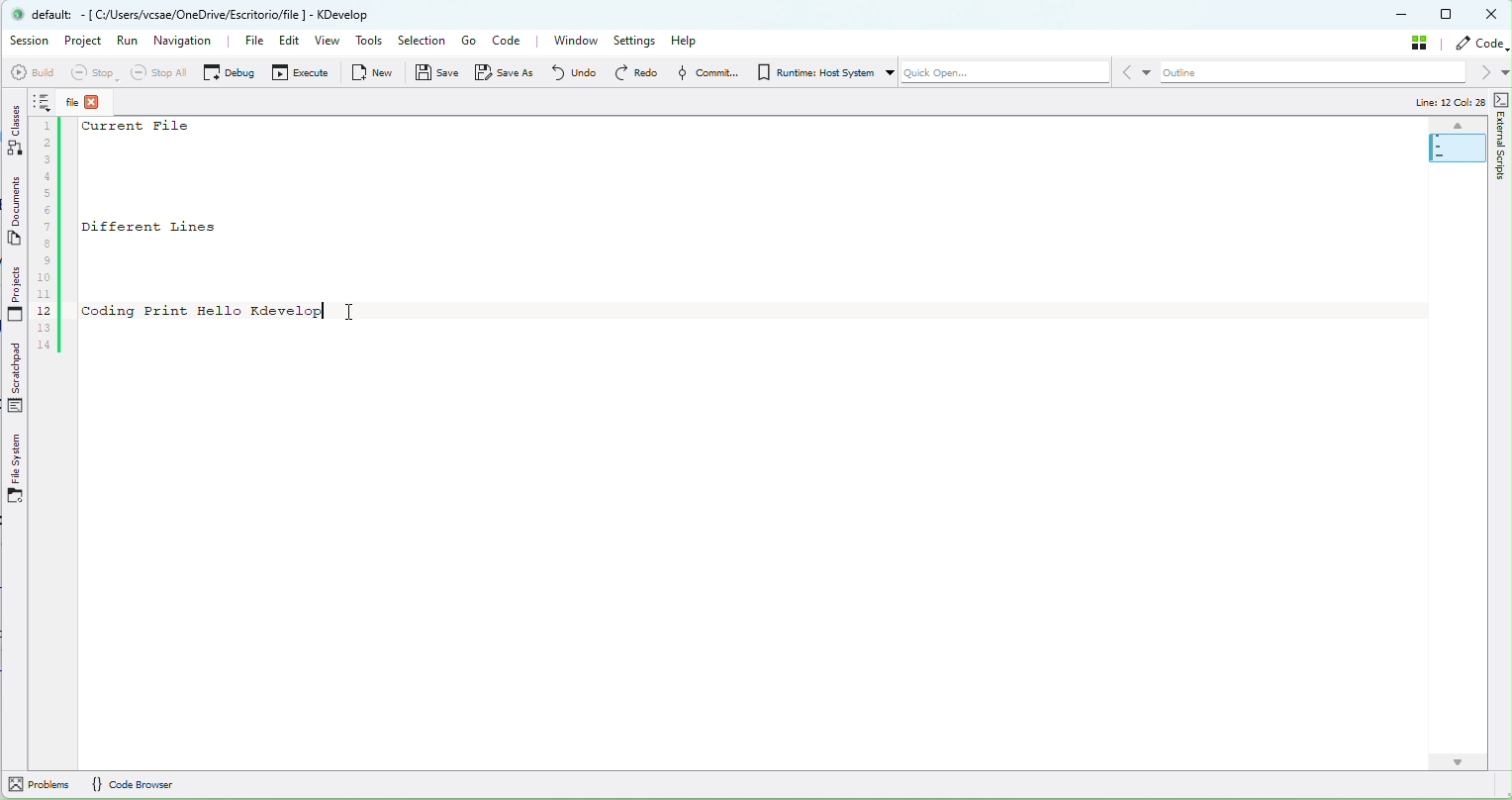 The image size is (1512, 800). I want to click on Minimize, so click(1403, 16).